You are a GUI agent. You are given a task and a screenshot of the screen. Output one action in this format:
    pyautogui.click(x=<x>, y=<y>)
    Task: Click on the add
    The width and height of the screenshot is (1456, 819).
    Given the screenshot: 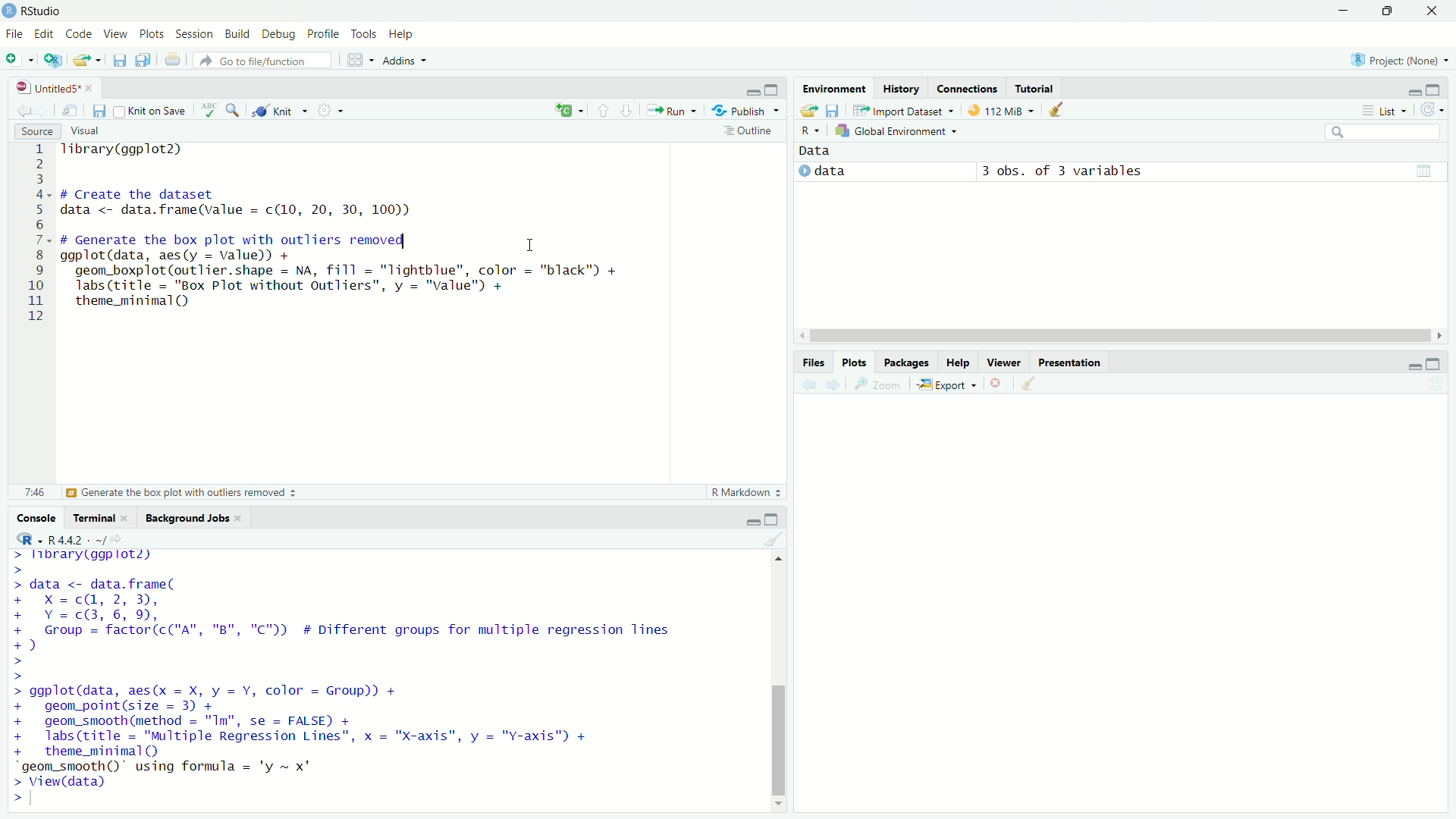 What is the action you would take?
    pyautogui.click(x=17, y=62)
    